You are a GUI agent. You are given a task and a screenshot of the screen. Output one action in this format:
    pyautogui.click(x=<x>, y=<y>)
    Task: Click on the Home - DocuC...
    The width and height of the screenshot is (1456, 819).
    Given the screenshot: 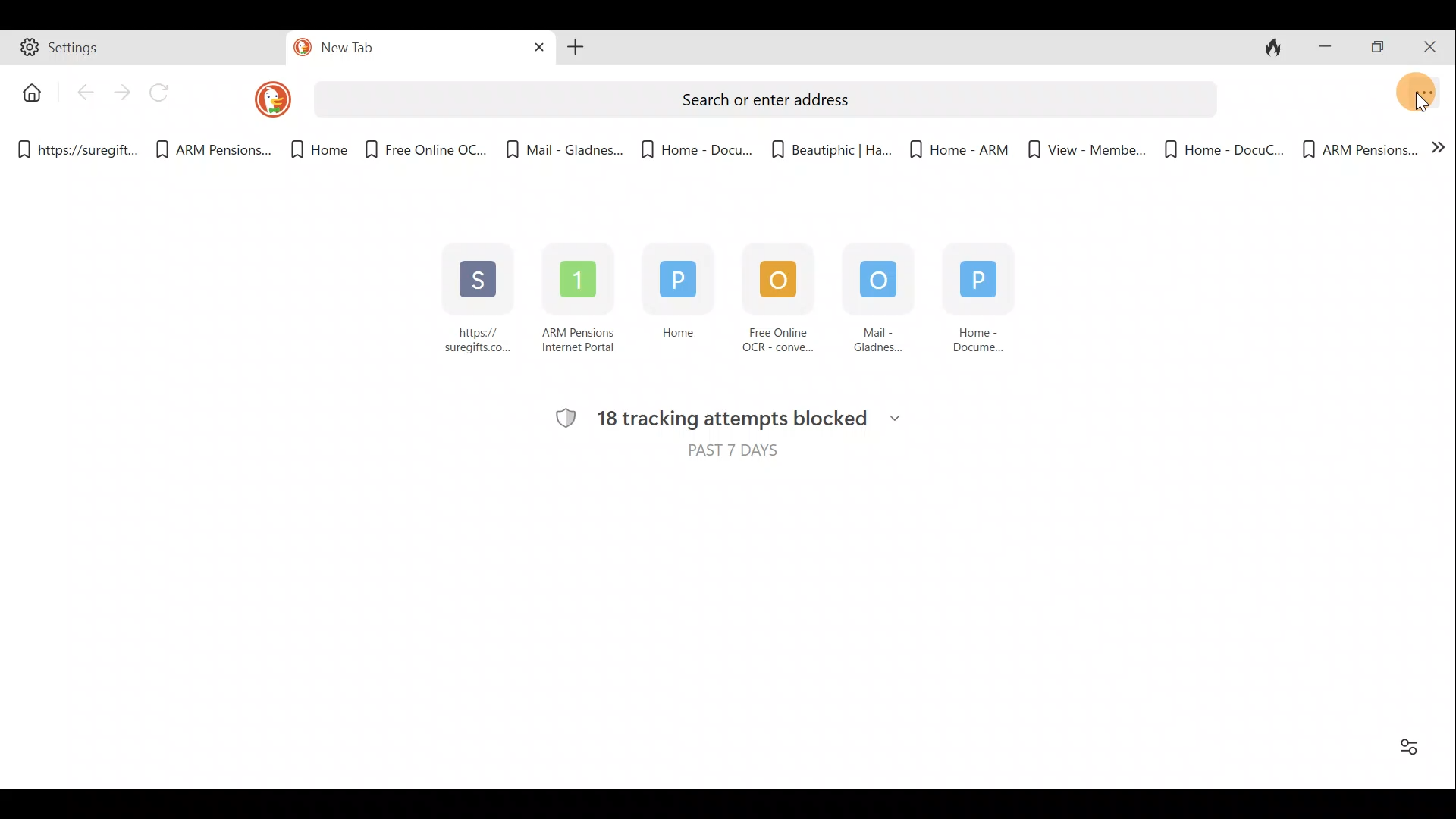 What is the action you would take?
    pyautogui.click(x=1222, y=147)
    